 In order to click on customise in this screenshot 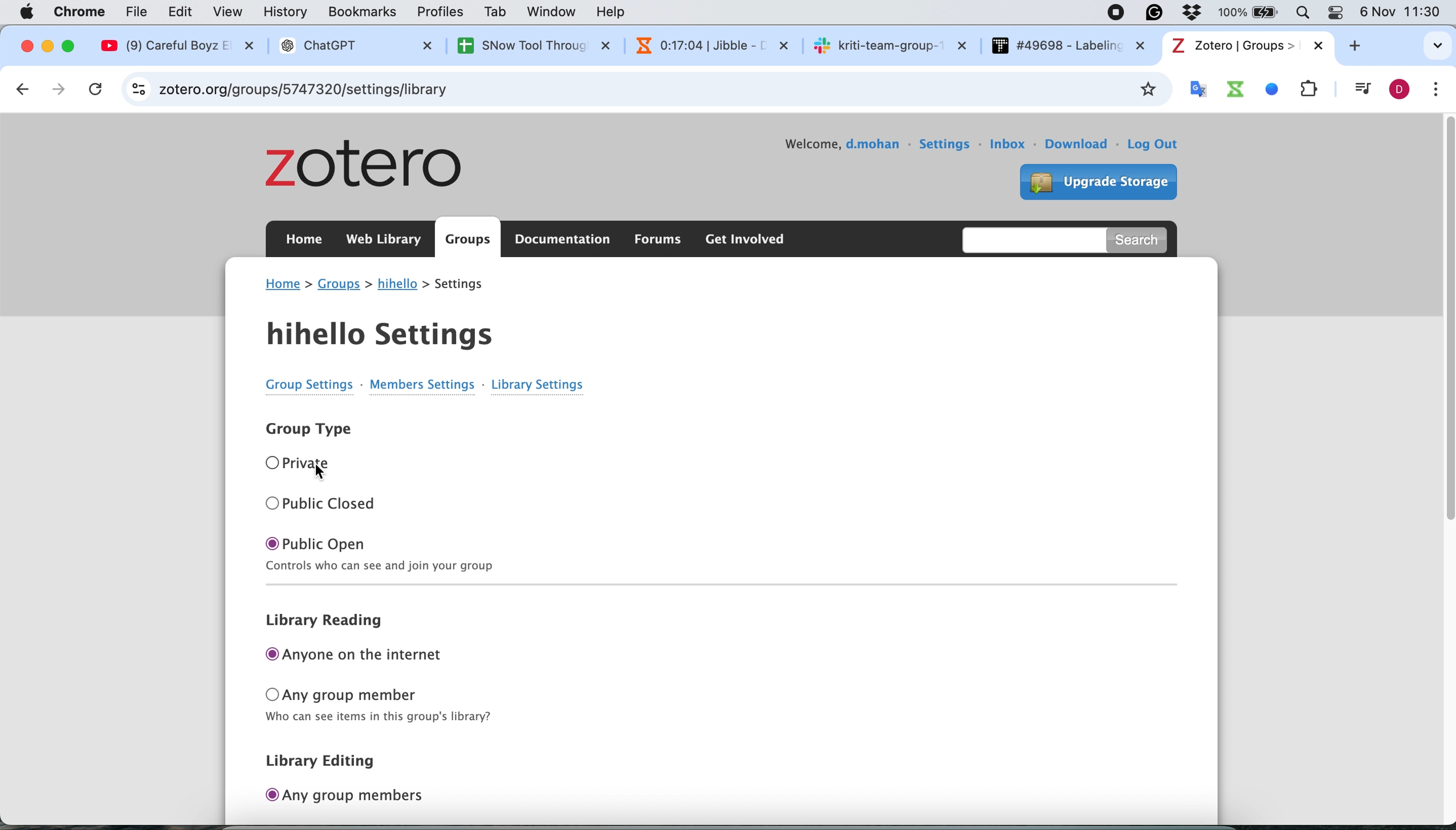, I will do `click(1436, 90)`.